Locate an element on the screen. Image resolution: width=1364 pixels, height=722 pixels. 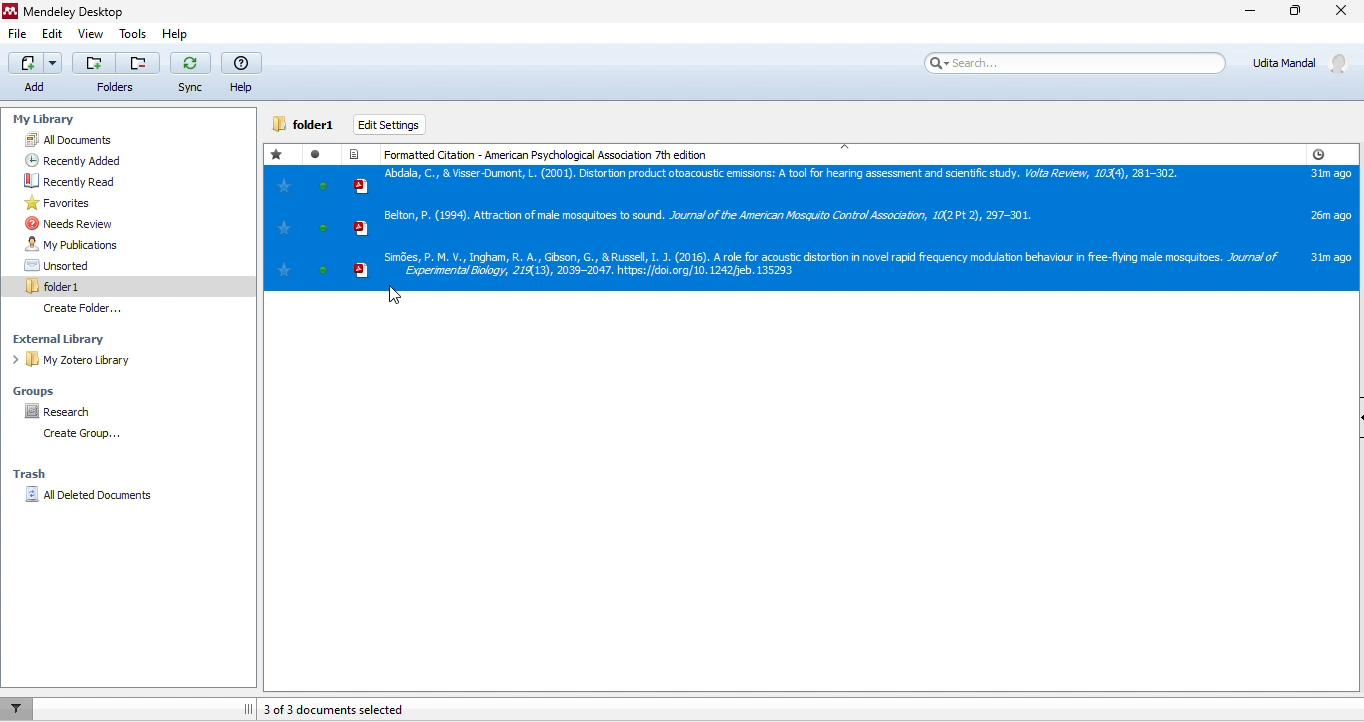
create folder is located at coordinates (78, 435).